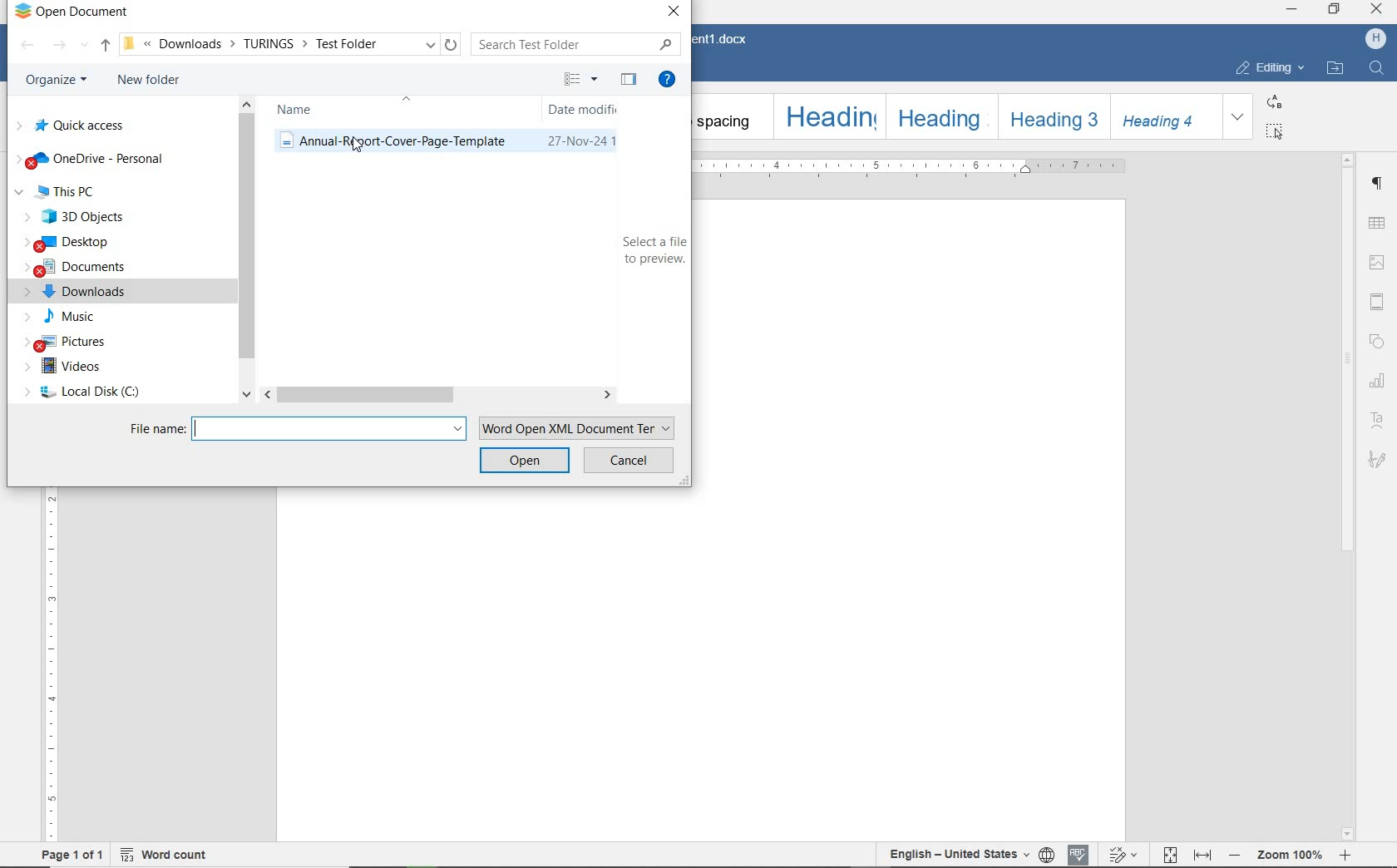 This screenshot has height=868, width=1397. What do you see at coordinates (1375, 459) in the screenshot?
I see `signature` at bounding box center [1375, 459].